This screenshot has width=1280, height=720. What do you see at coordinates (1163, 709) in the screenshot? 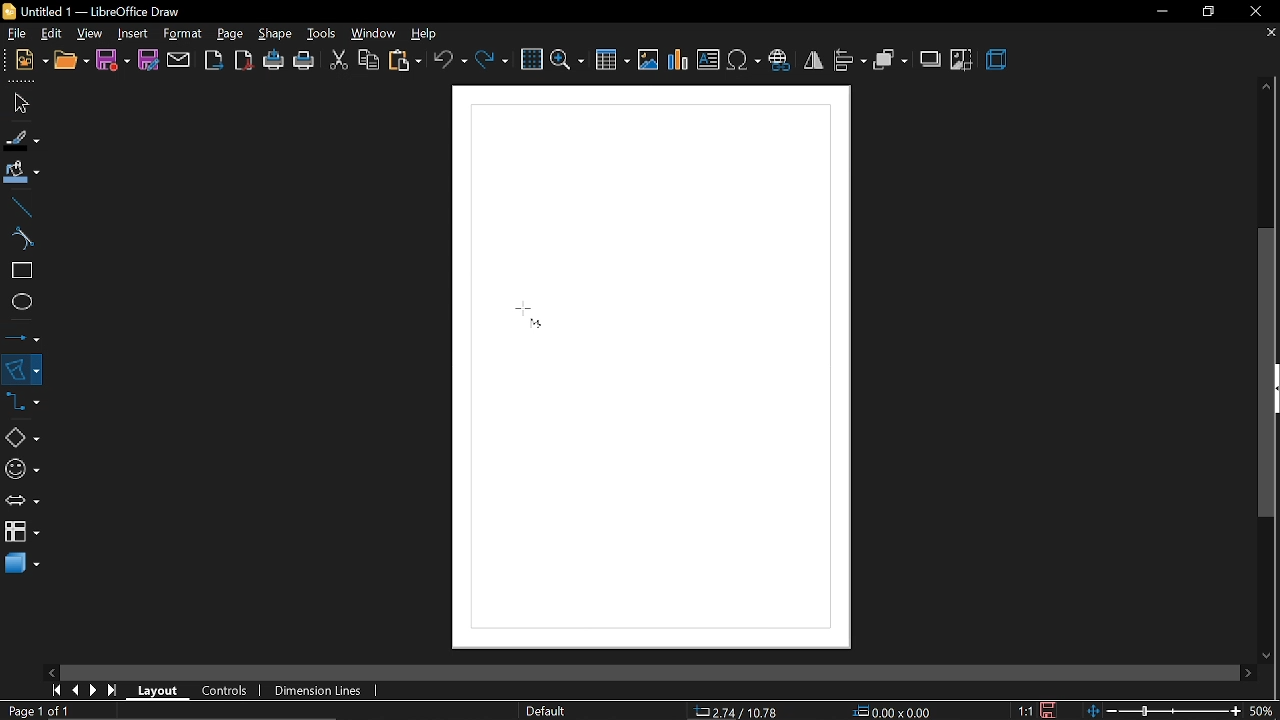
I see `change zoom` at bounding box center [1163, 709].